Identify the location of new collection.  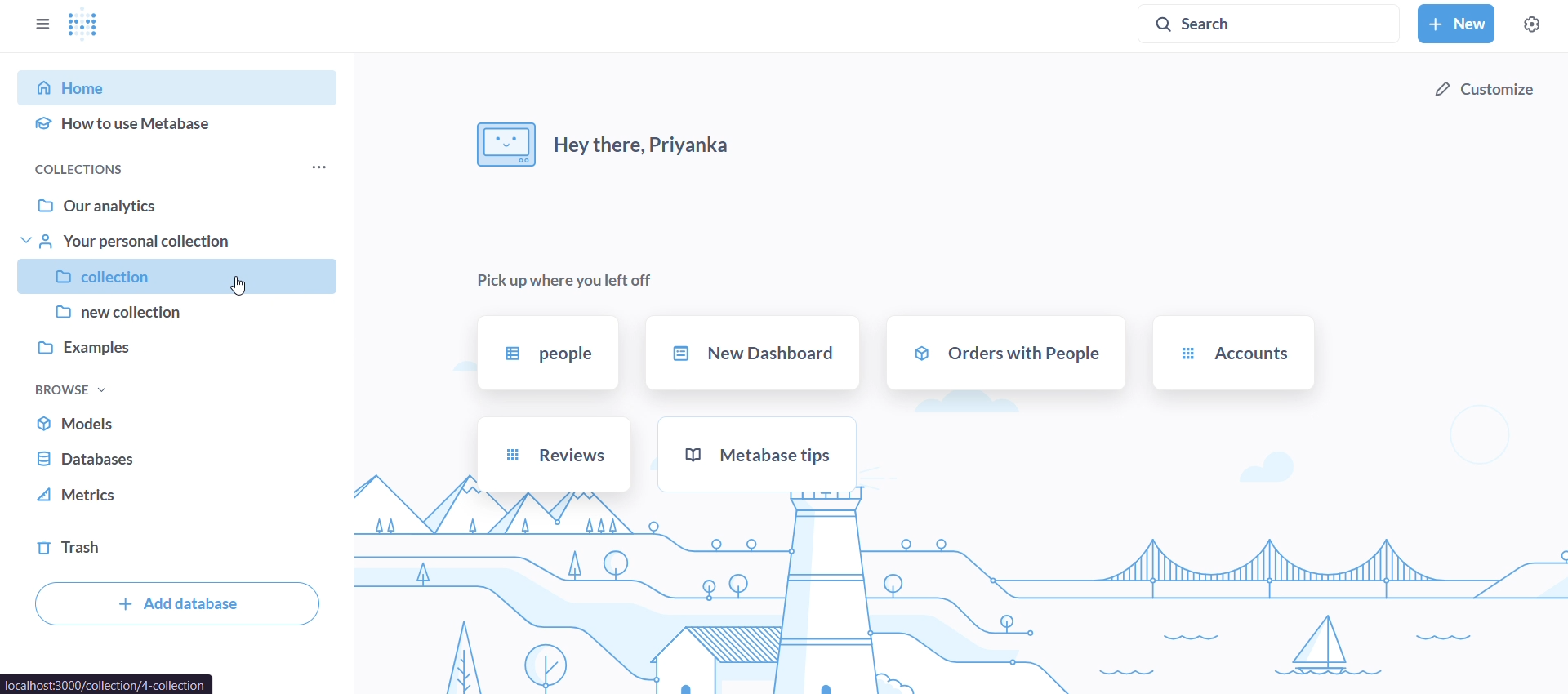
(178, 313).